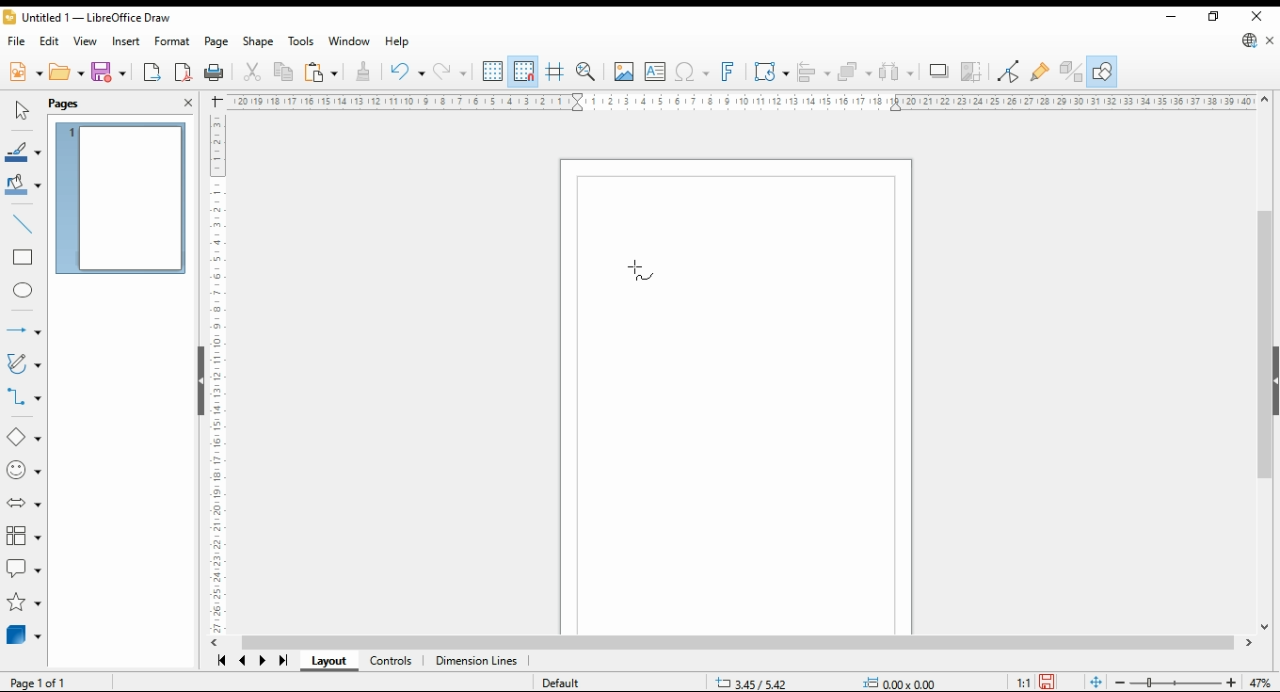  I want to click on save, so click(110, 72).